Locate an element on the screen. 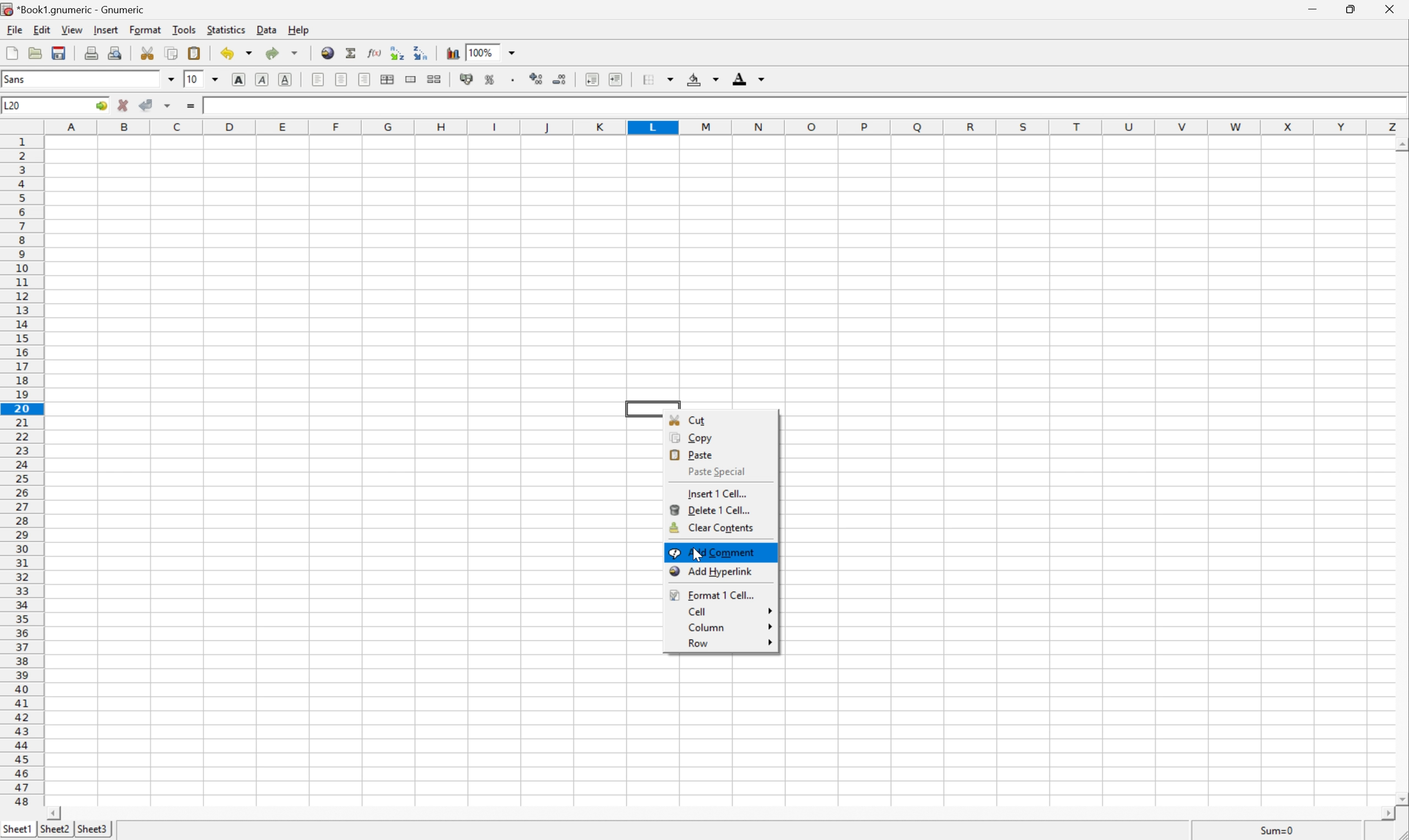  Set the format of the selected cells to include a thousands separator is located at coordinates (514, 79).